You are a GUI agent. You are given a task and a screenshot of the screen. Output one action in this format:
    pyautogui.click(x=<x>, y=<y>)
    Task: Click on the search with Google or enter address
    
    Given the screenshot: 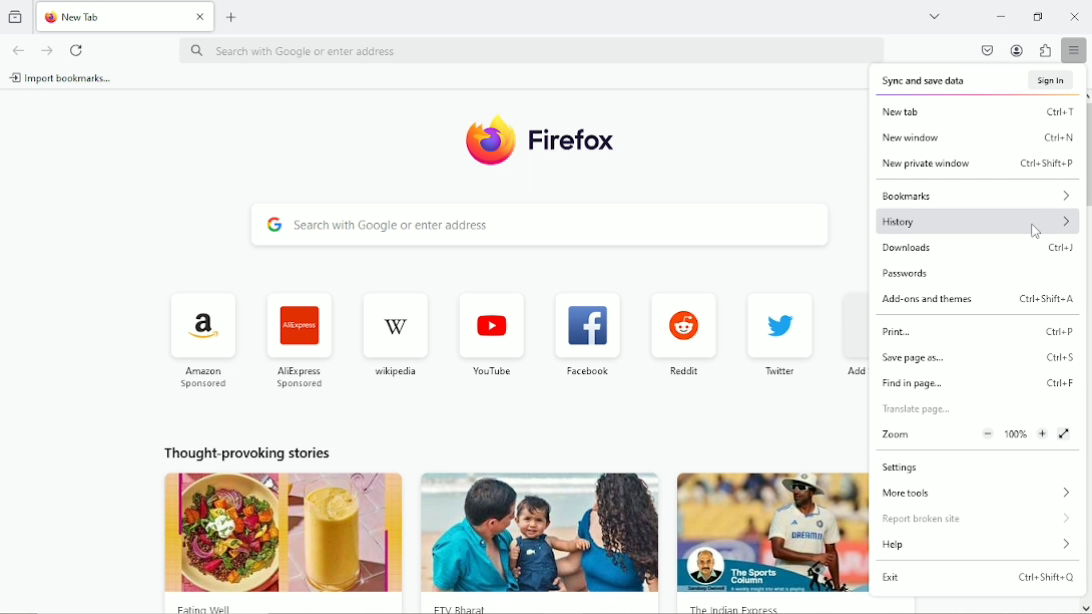 What is the action you would take?
    pyautogui.click(x=532, y=53)
    